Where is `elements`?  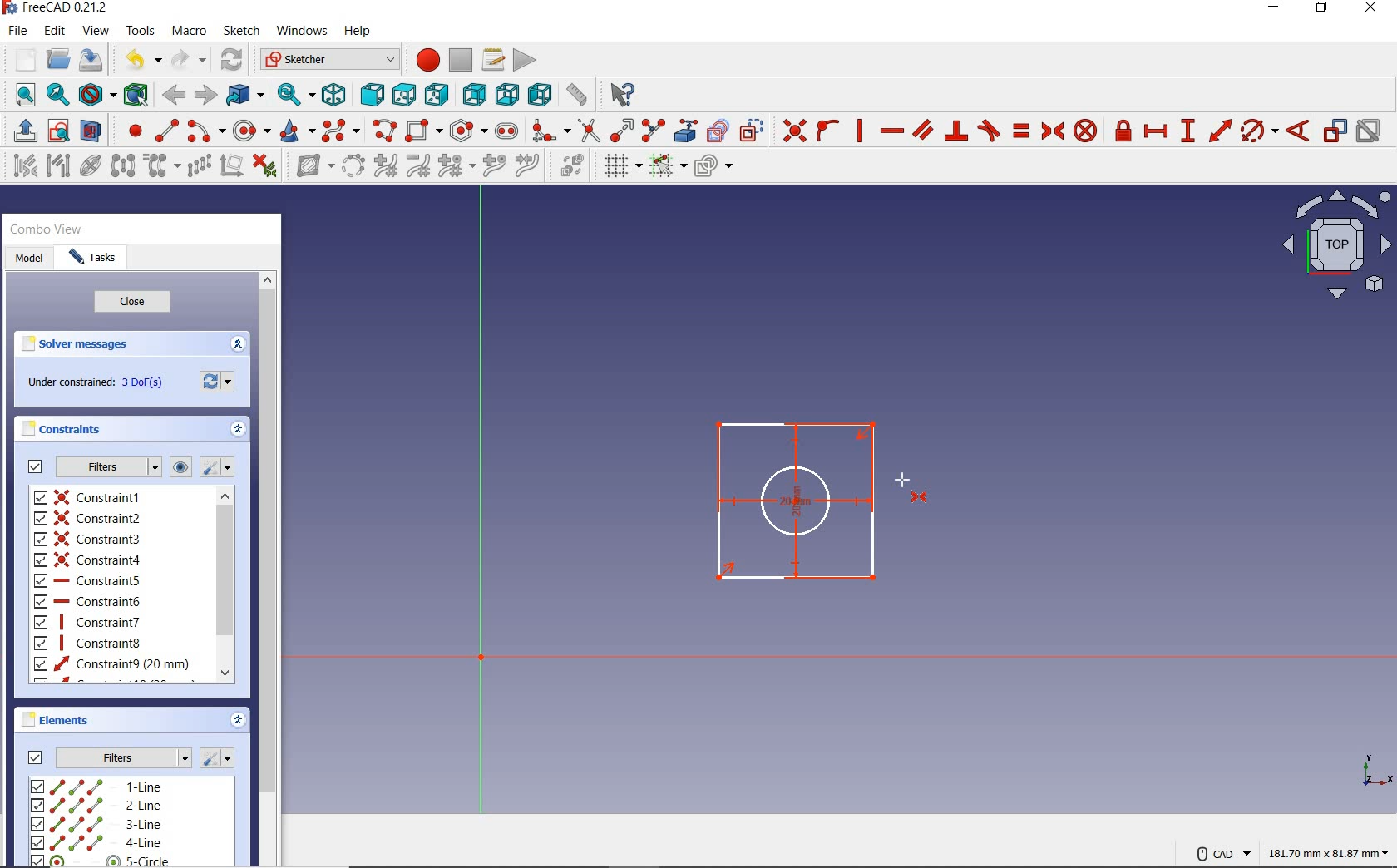
elements is located at coordinates (71, 721).